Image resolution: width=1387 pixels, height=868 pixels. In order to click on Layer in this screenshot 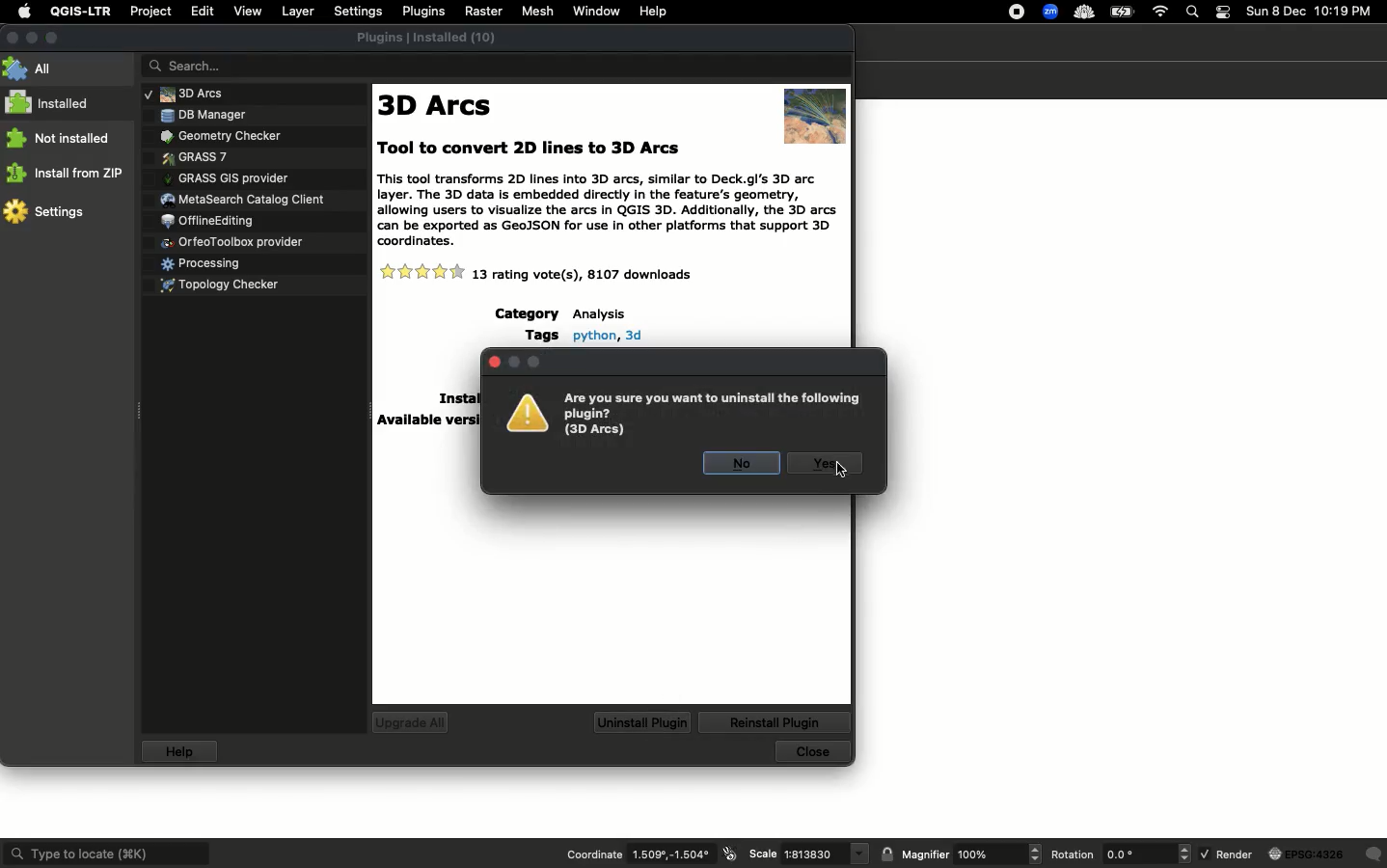, I will do `click(300, 11)`.